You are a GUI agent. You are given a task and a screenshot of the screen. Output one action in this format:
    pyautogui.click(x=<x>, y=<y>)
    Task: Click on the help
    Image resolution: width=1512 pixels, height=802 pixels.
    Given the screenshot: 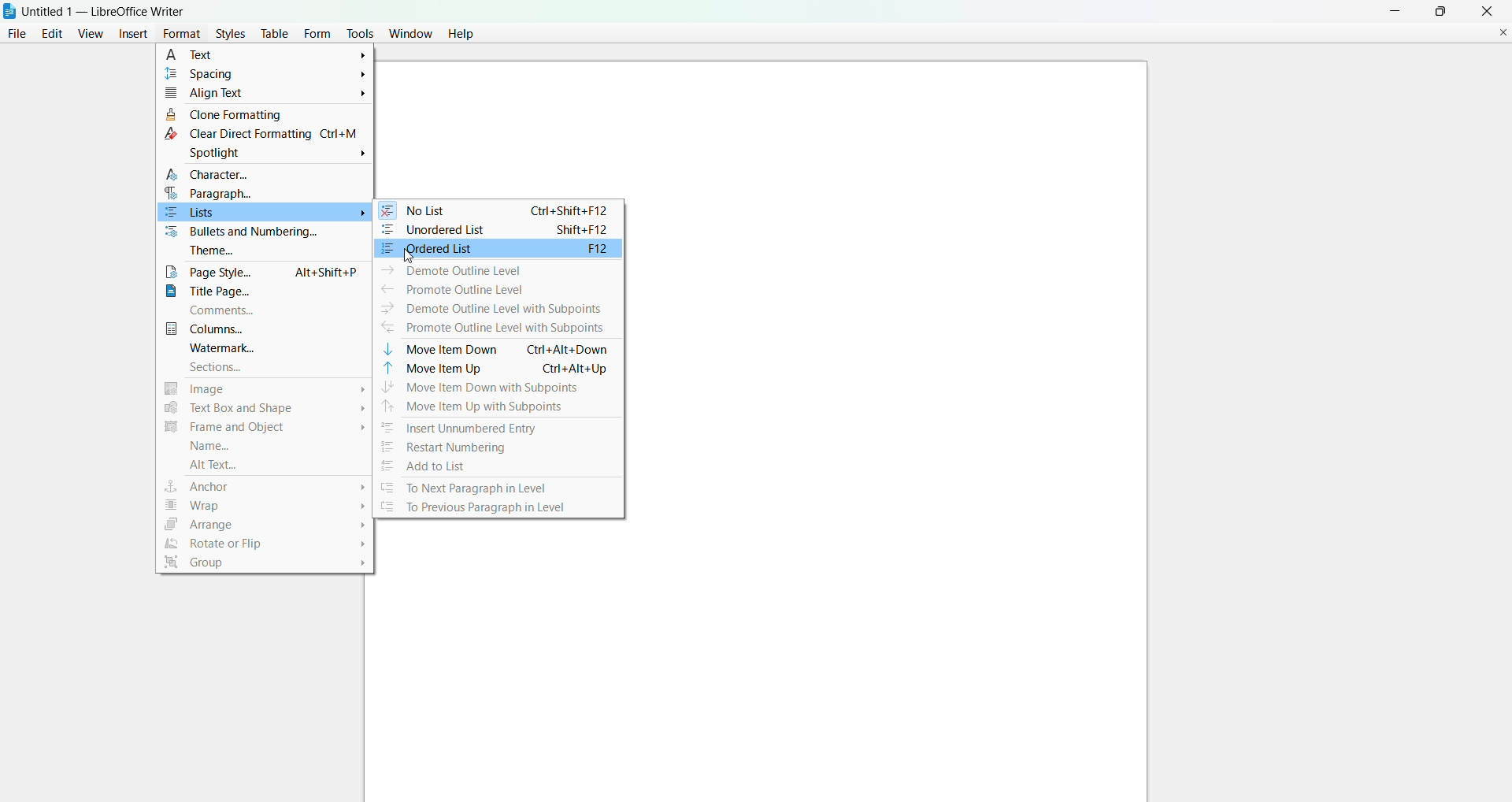 What is the action you would take?
    pyautogui.click(x=461, y=33)
    